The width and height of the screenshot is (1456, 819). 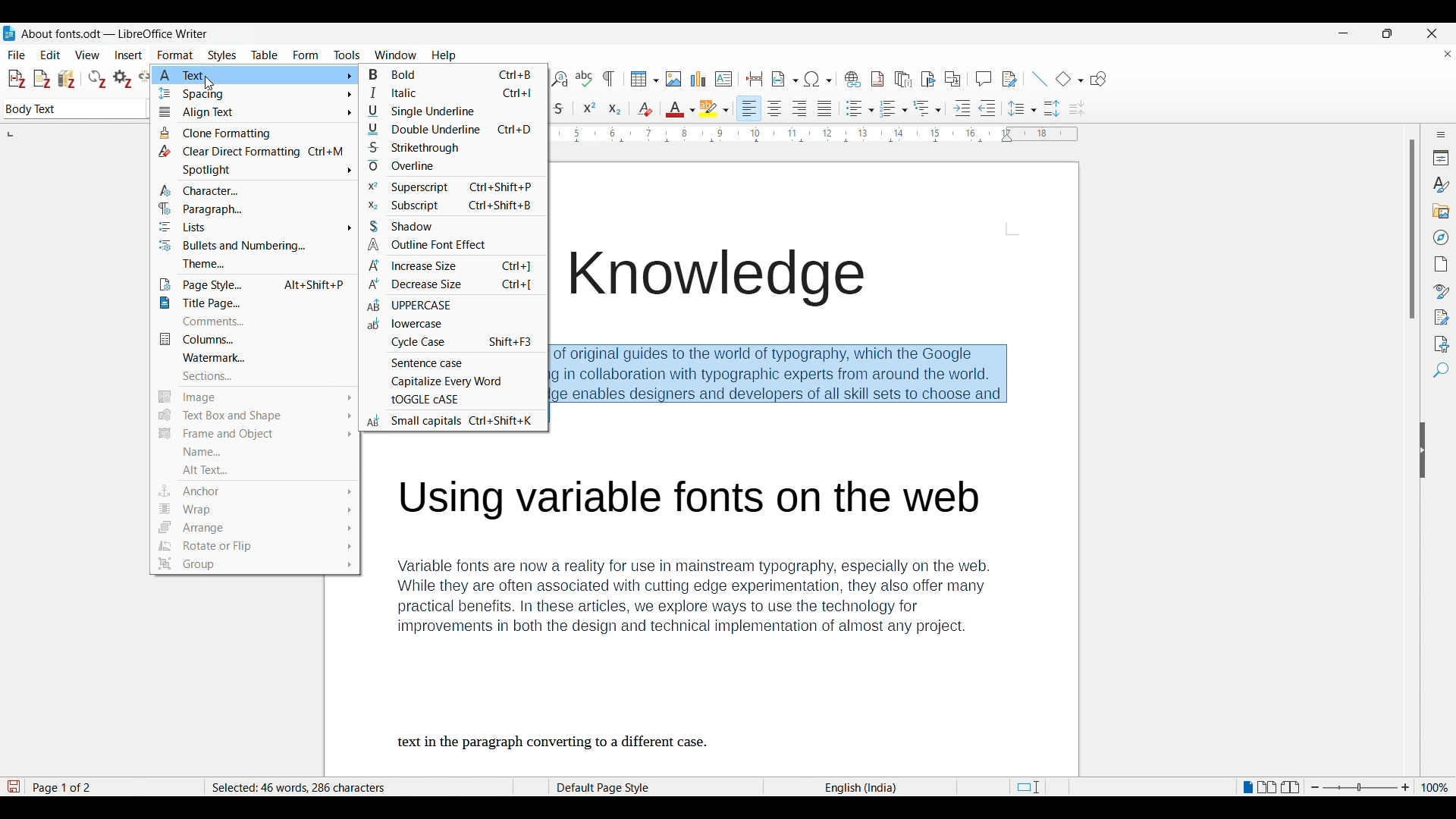 I want to click on Shadow, so click(x=413, y=225).